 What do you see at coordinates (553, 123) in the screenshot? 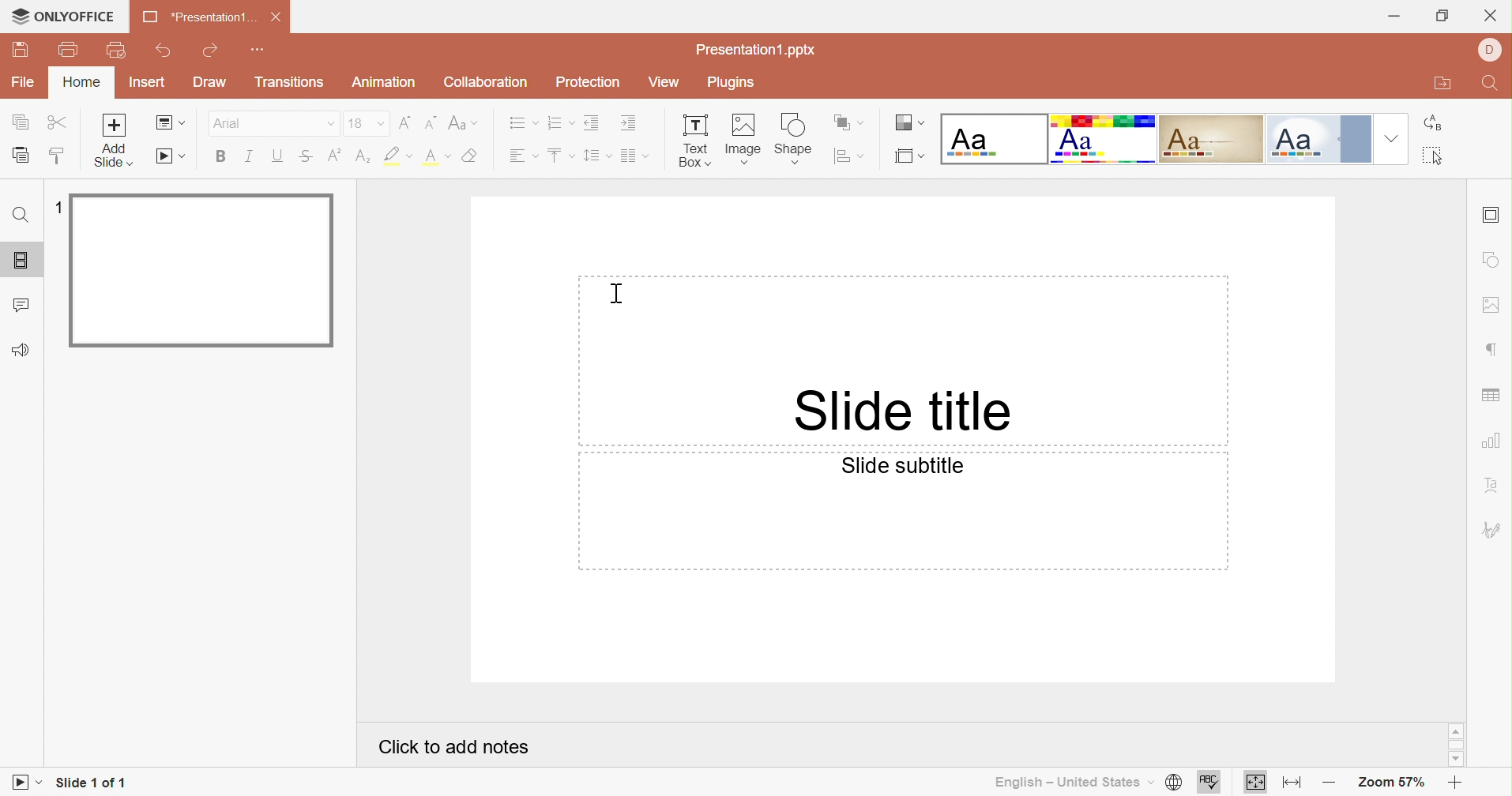
I see `Numbering` at bounding box center [553, 123].